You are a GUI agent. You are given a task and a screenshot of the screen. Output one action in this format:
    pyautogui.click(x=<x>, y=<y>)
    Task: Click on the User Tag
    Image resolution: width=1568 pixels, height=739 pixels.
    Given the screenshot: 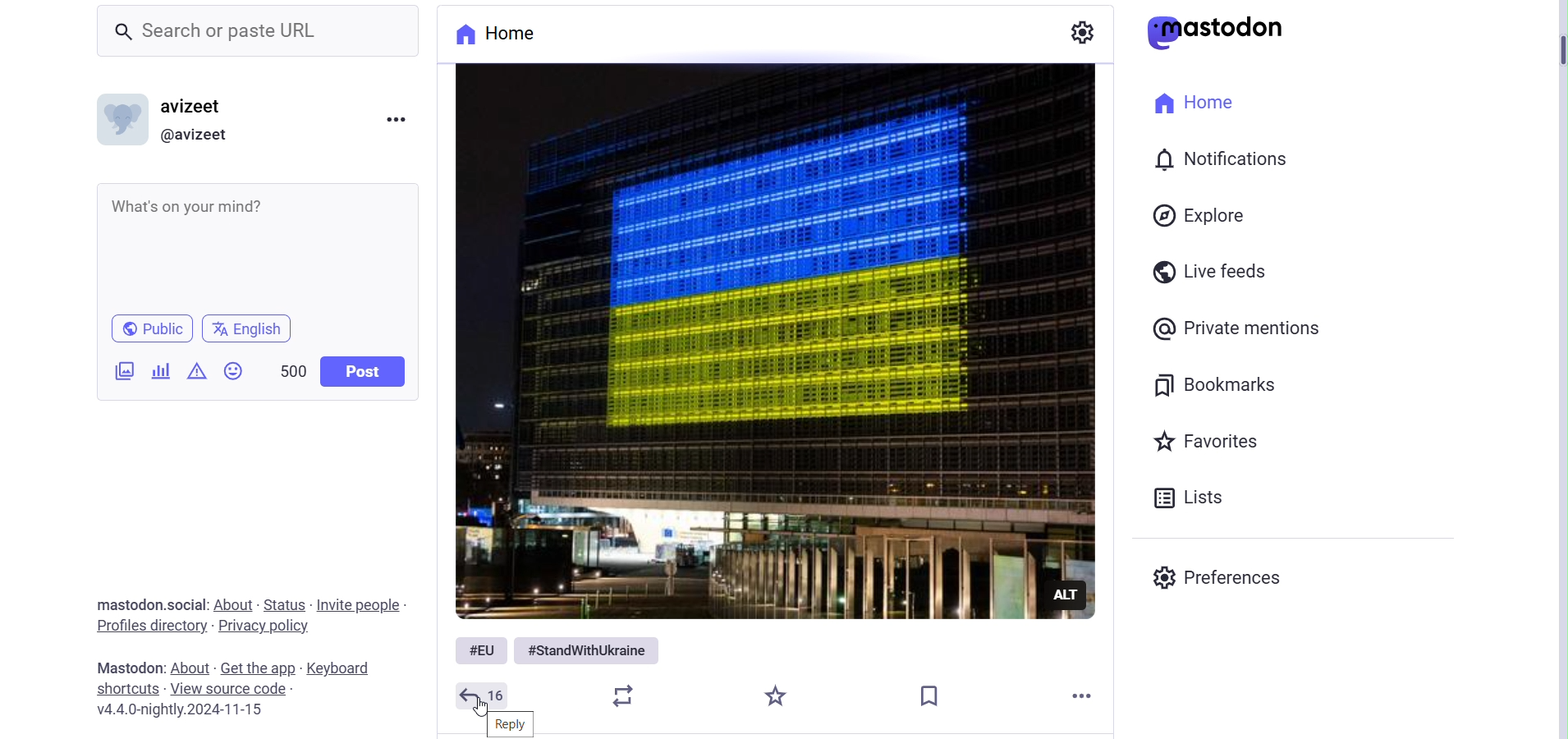 What is the action you would take?
    pyautogui.click(x=199, y=134)
    